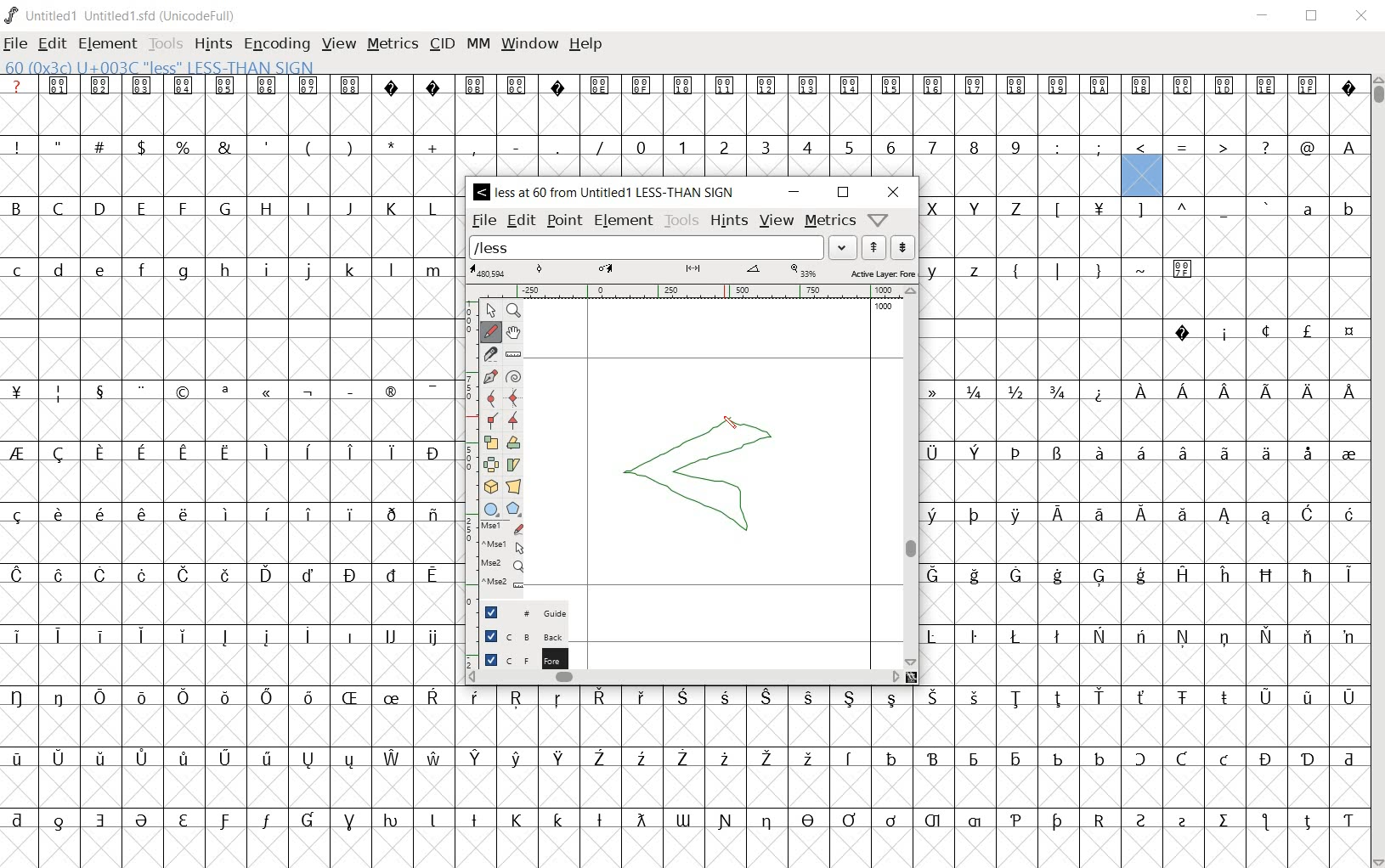 Image resolution: width=1385 pixels, height=868 pixels. What do you see at coordinates (232, 357) in the screenshot?
I see `empty cells` at bounding box center [232, 357].